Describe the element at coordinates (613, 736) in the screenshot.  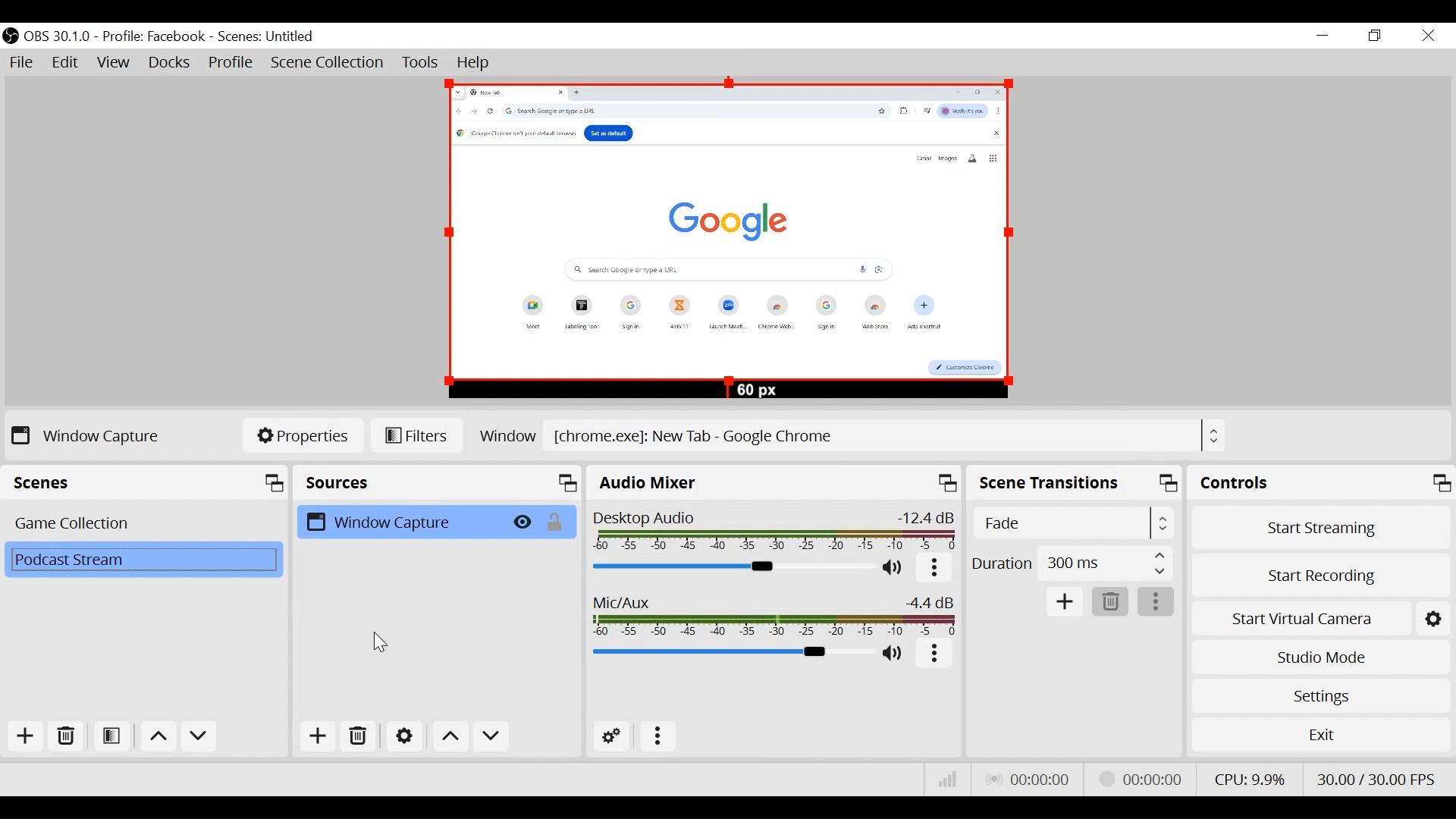
I see `Advanced Audio Settings` at that location.